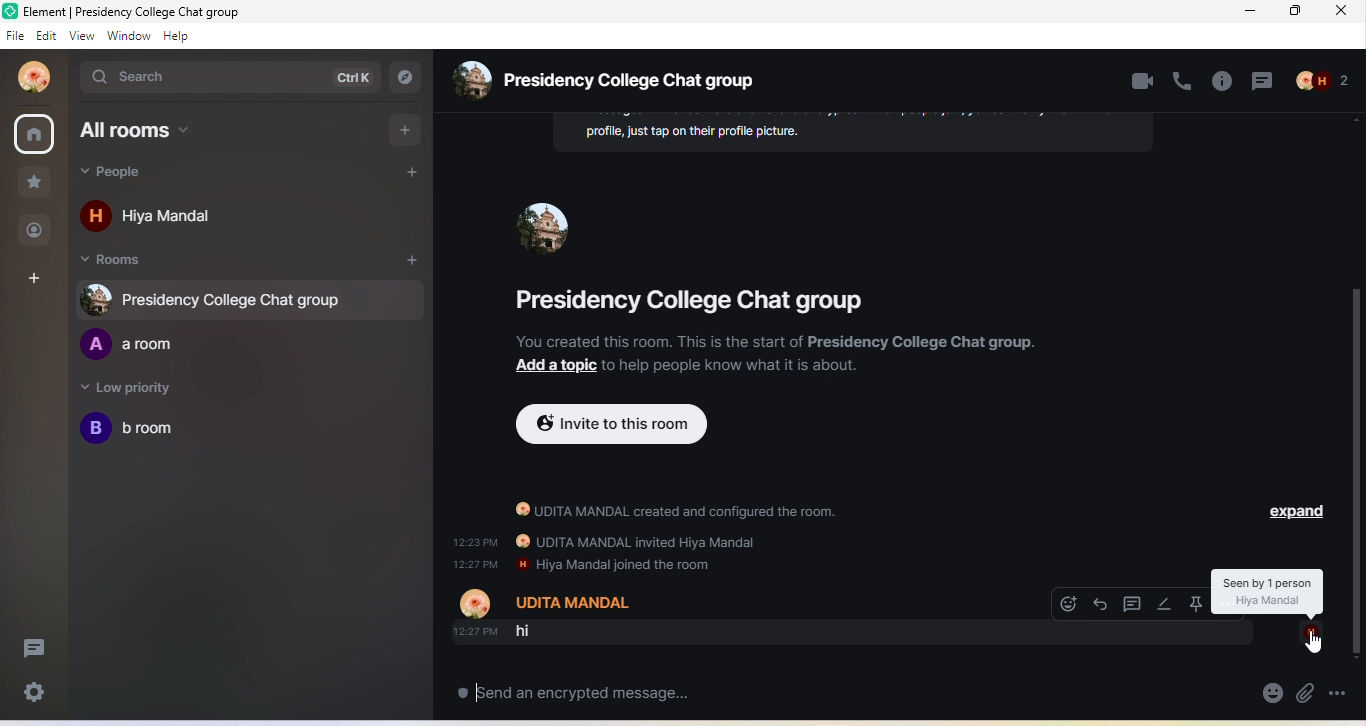 Image resolution: width=1366 pixels, height=726 pixels. I want to click on app icon, so click(10, 11).